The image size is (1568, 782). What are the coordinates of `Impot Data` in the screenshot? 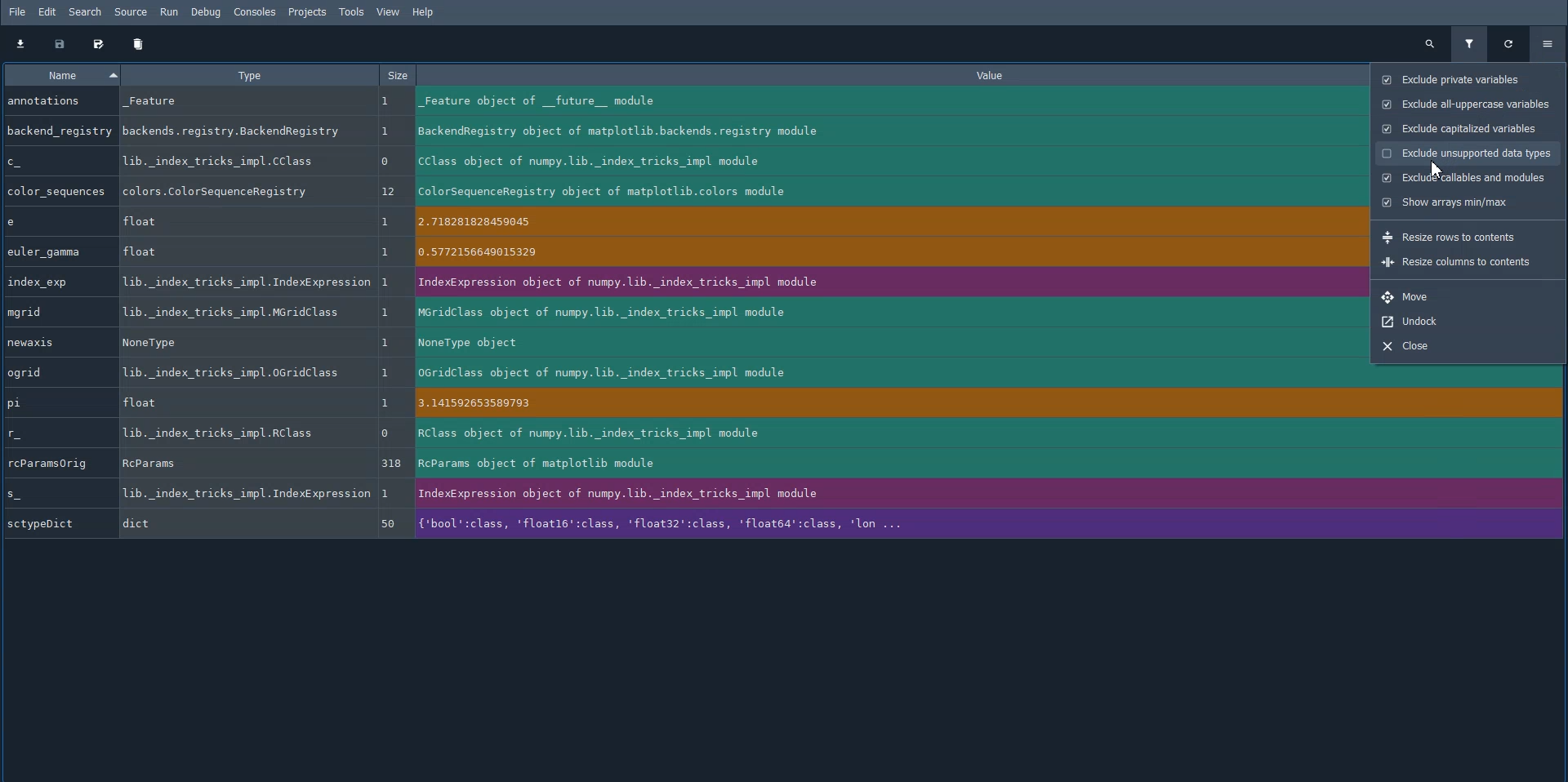 It's located at (20, 43).